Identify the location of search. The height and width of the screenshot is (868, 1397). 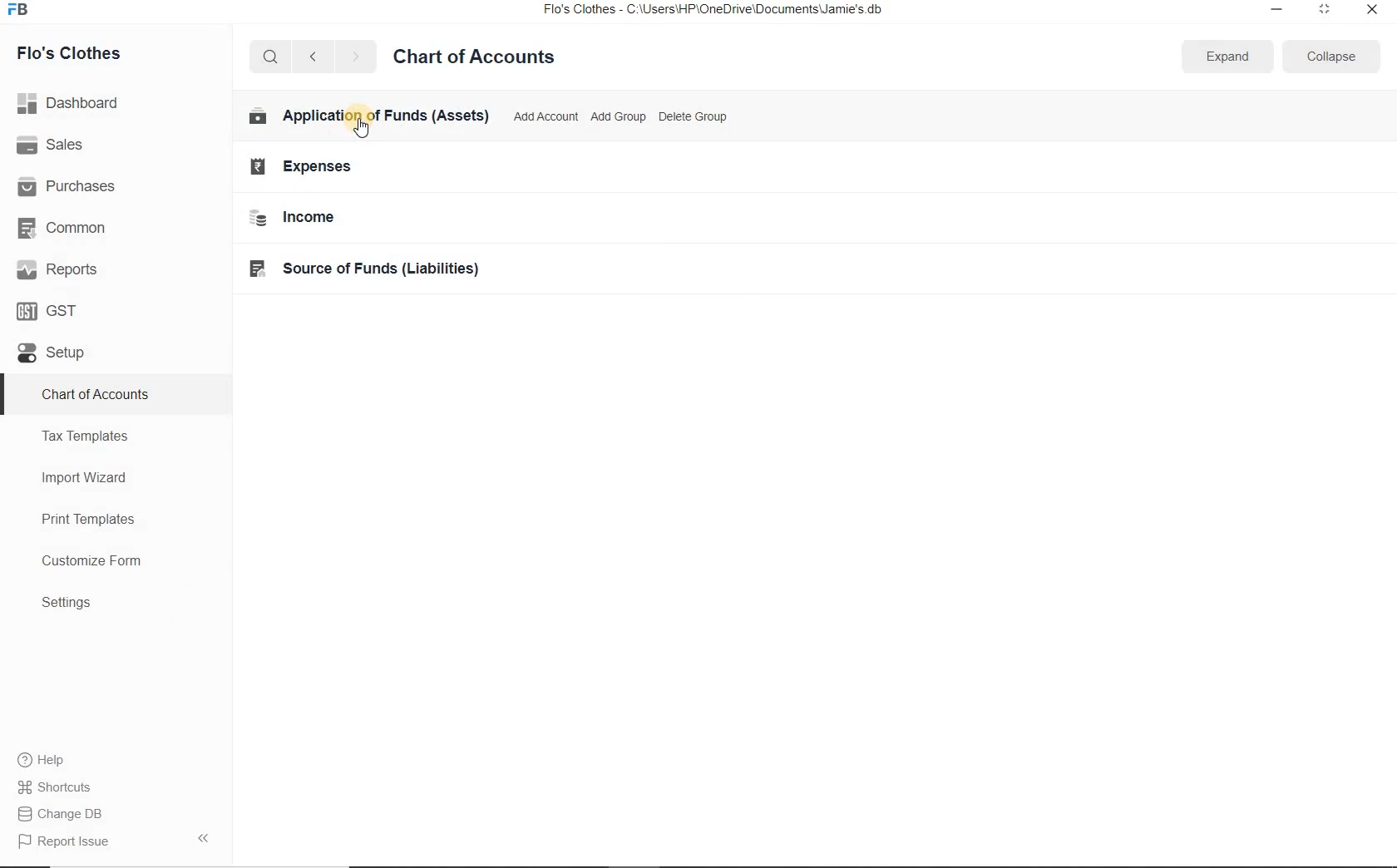
(271, 57).